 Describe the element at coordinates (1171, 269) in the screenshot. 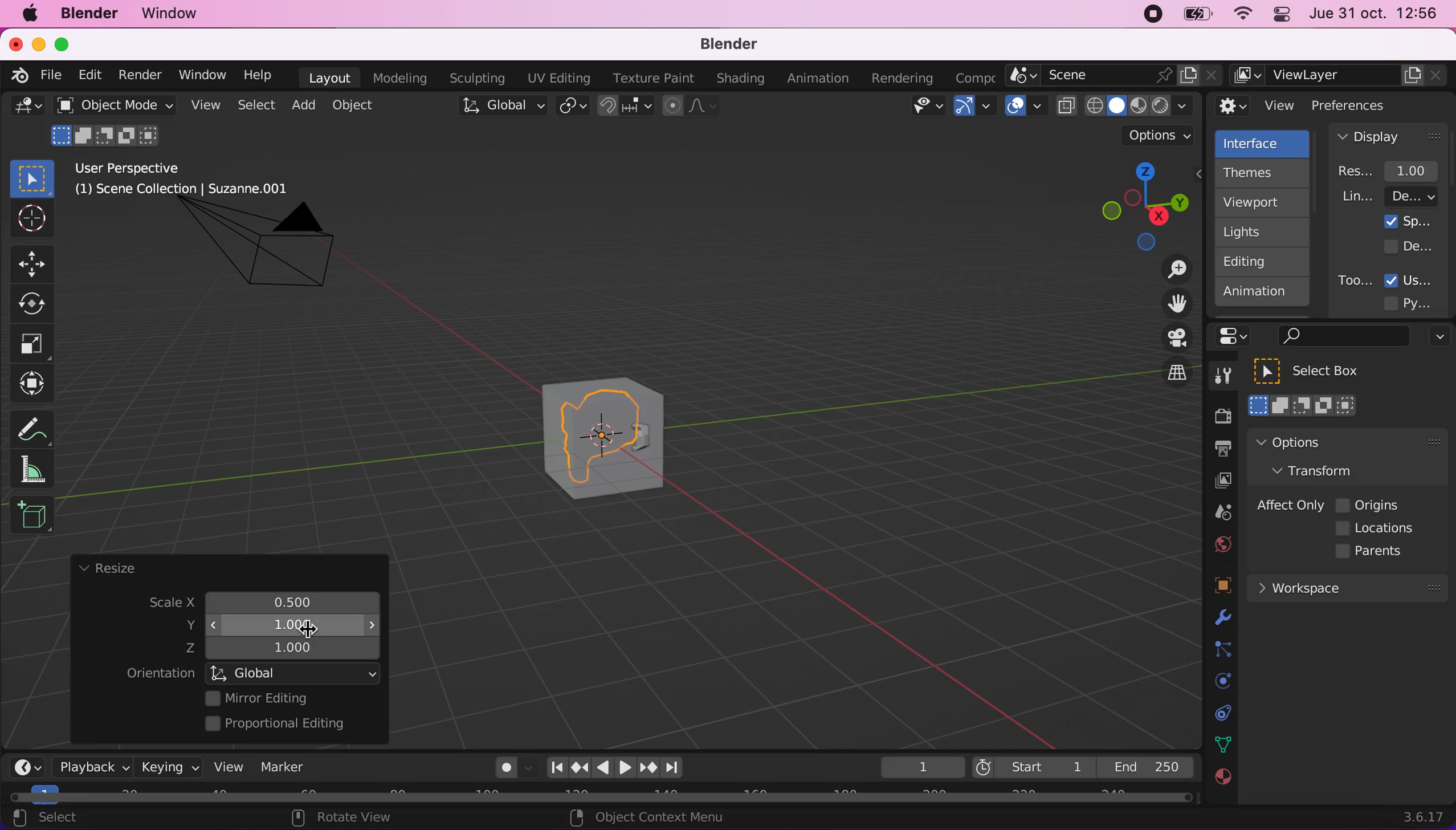

I see `zoom in/out the view` at that location.